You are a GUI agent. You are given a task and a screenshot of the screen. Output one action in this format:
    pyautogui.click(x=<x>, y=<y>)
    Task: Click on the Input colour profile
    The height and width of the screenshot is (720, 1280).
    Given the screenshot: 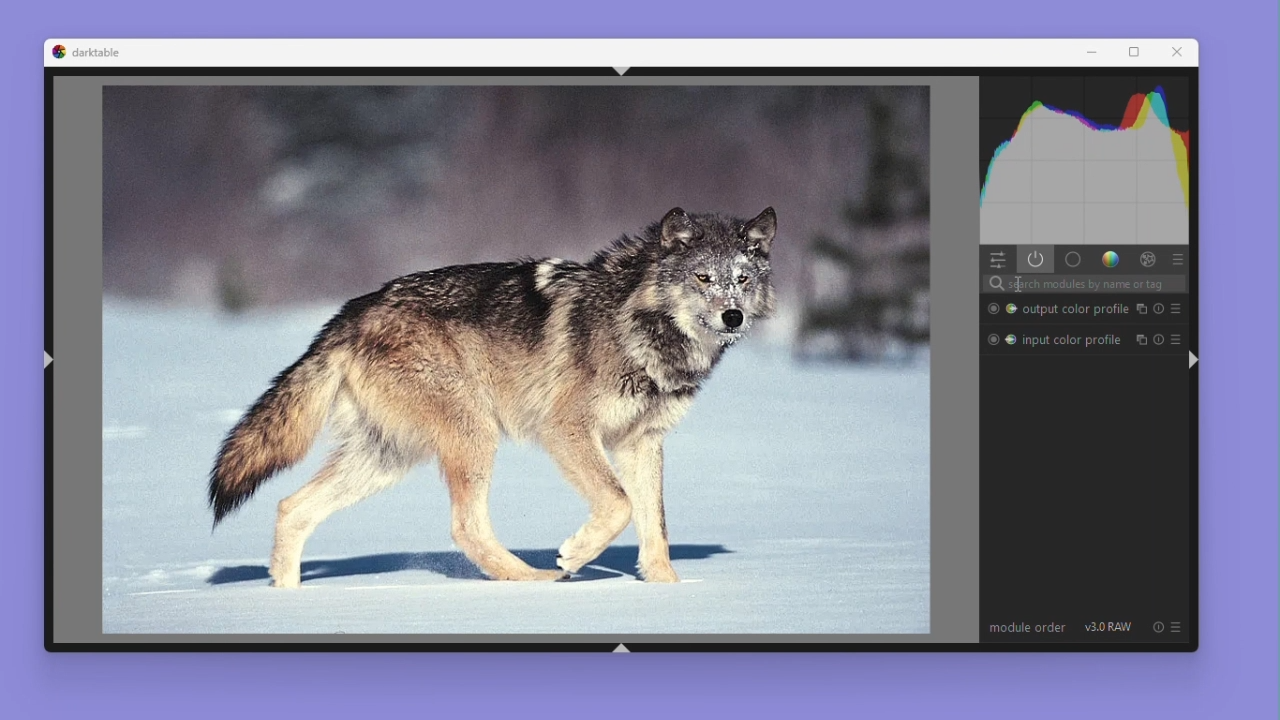 What is the action you would take?
    pyautogui.click(x=1053, y=338)
    